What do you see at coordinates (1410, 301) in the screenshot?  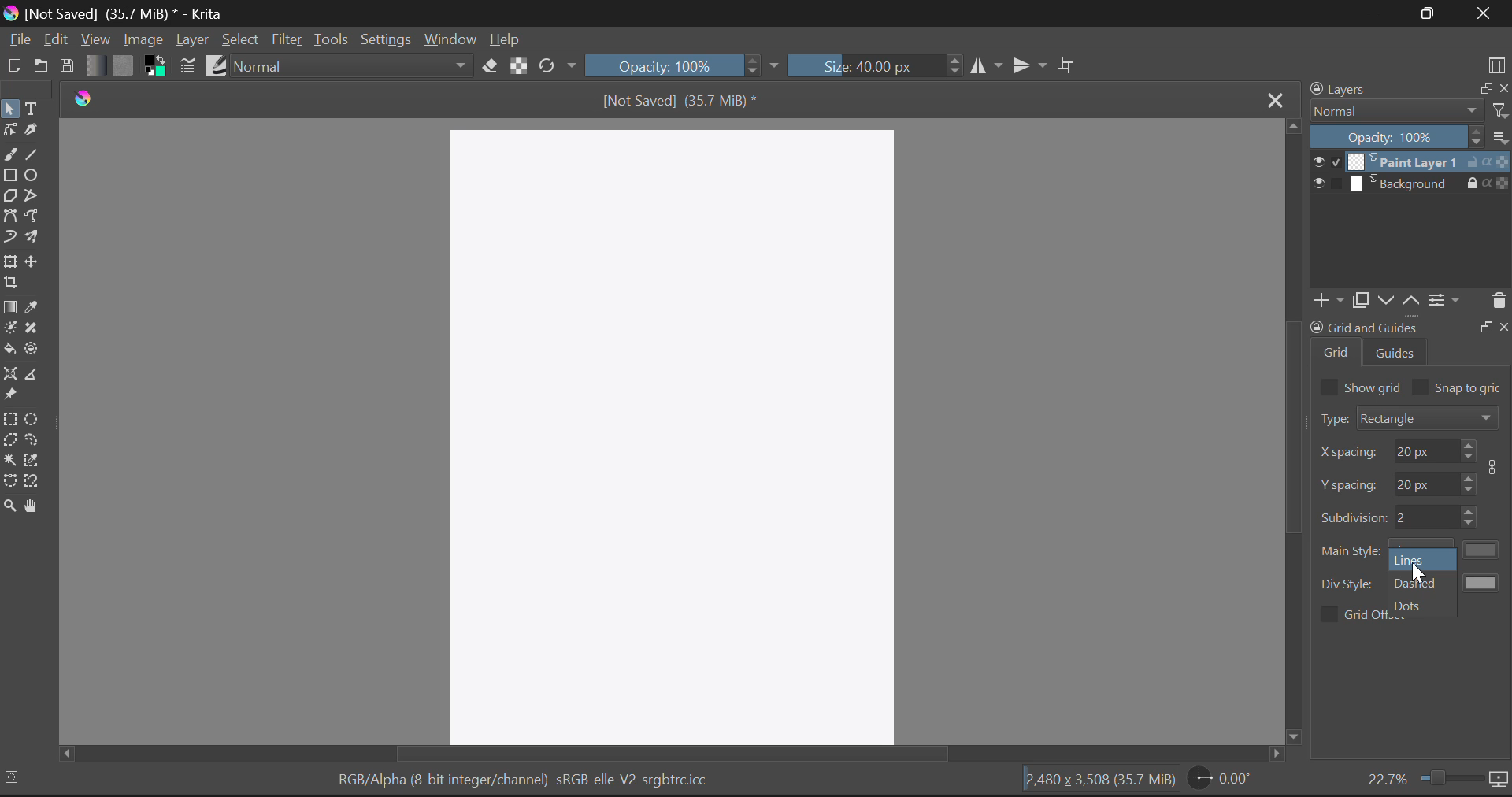 I see `up` at bounding box center [1410, 301].